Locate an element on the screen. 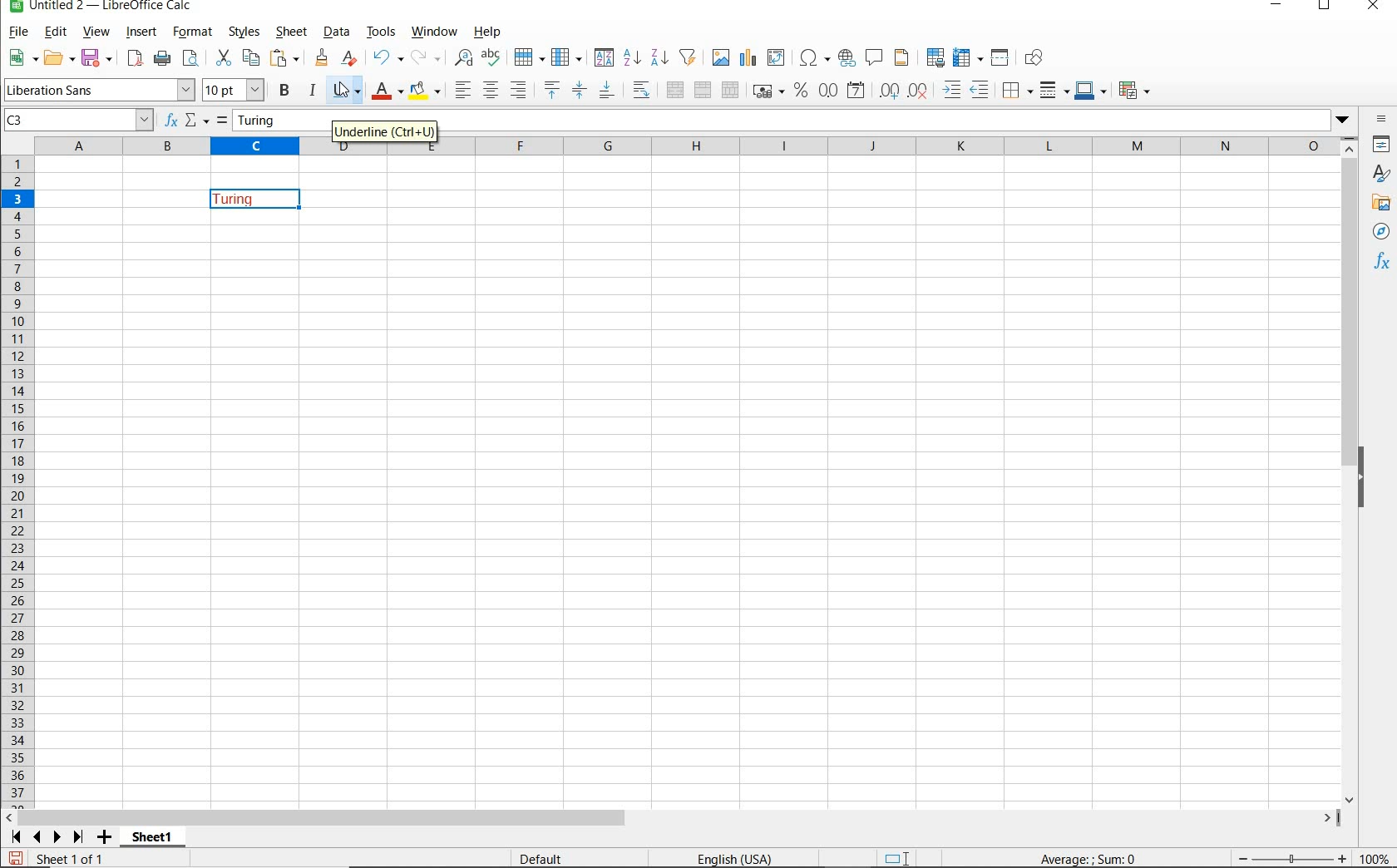 Image resolution: width=1397 pixels, height=868 pixels. SIDEBAR SETTINGS is located at coordinates (1384, 117).